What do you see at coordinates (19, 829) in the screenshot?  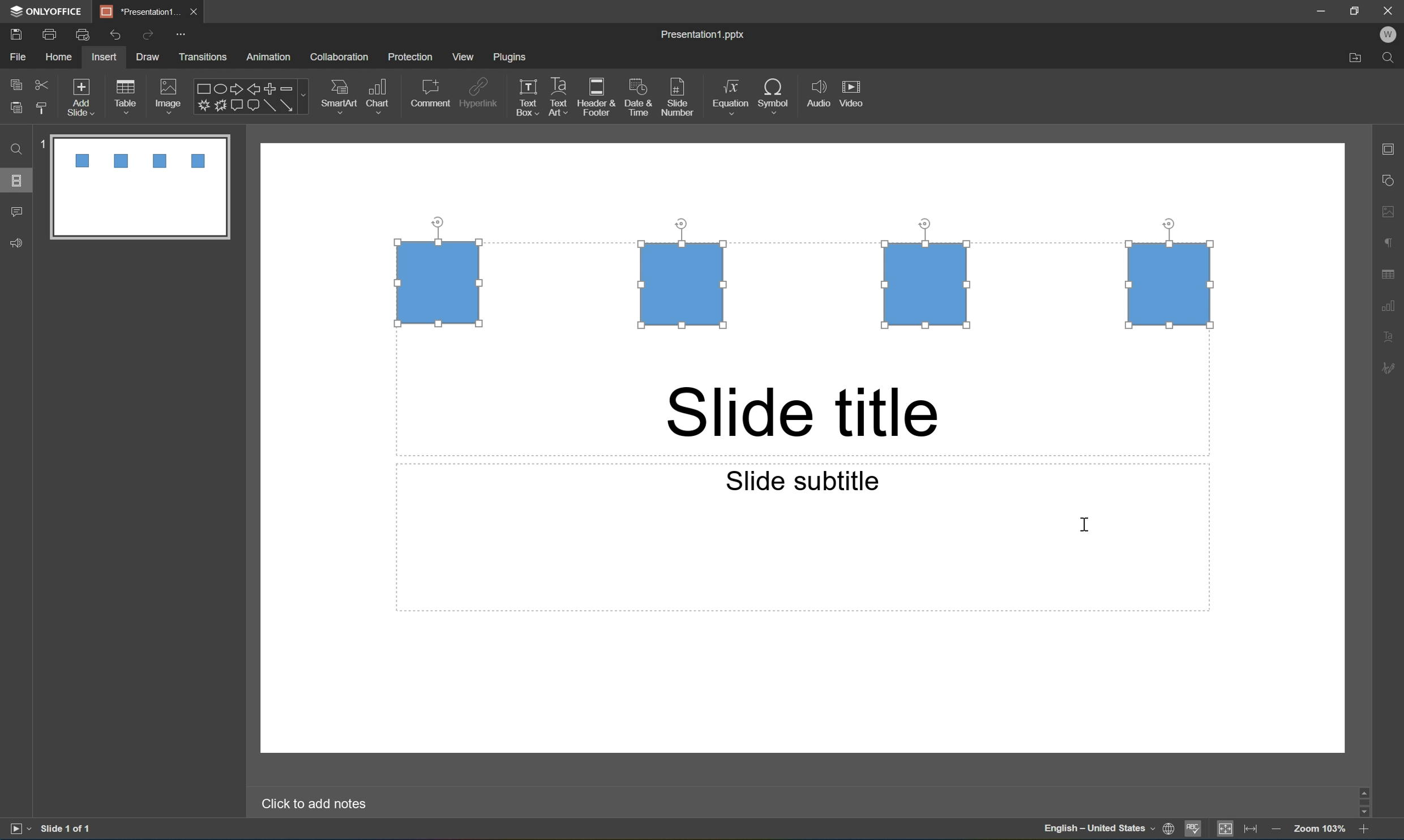 I see `start slideshow` at bounding box center [19, 829].